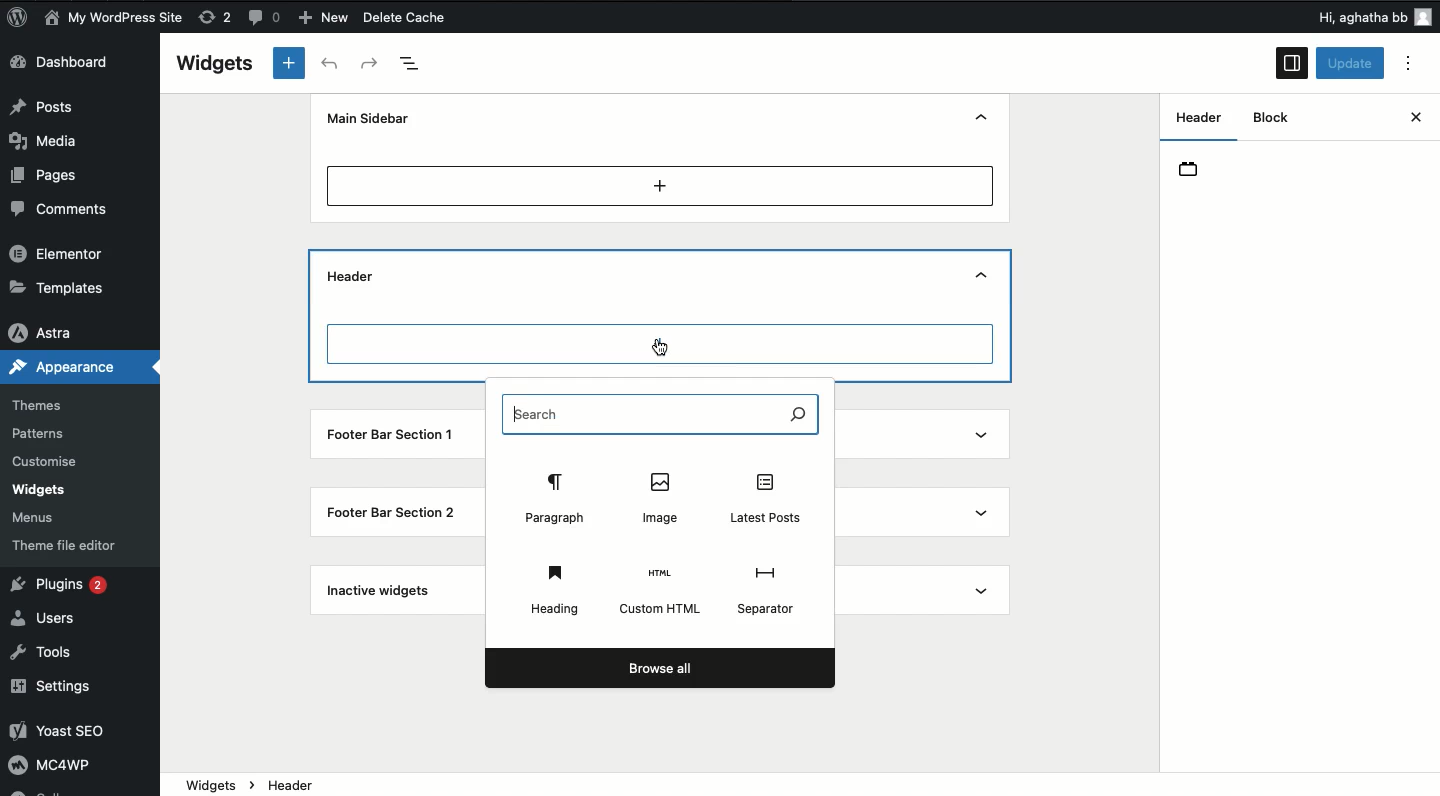 This screenshot has height=796, width=1440. Describe the element at coordinates (73, 733) in the screenshot. I see `Yoast SEO` at that location.